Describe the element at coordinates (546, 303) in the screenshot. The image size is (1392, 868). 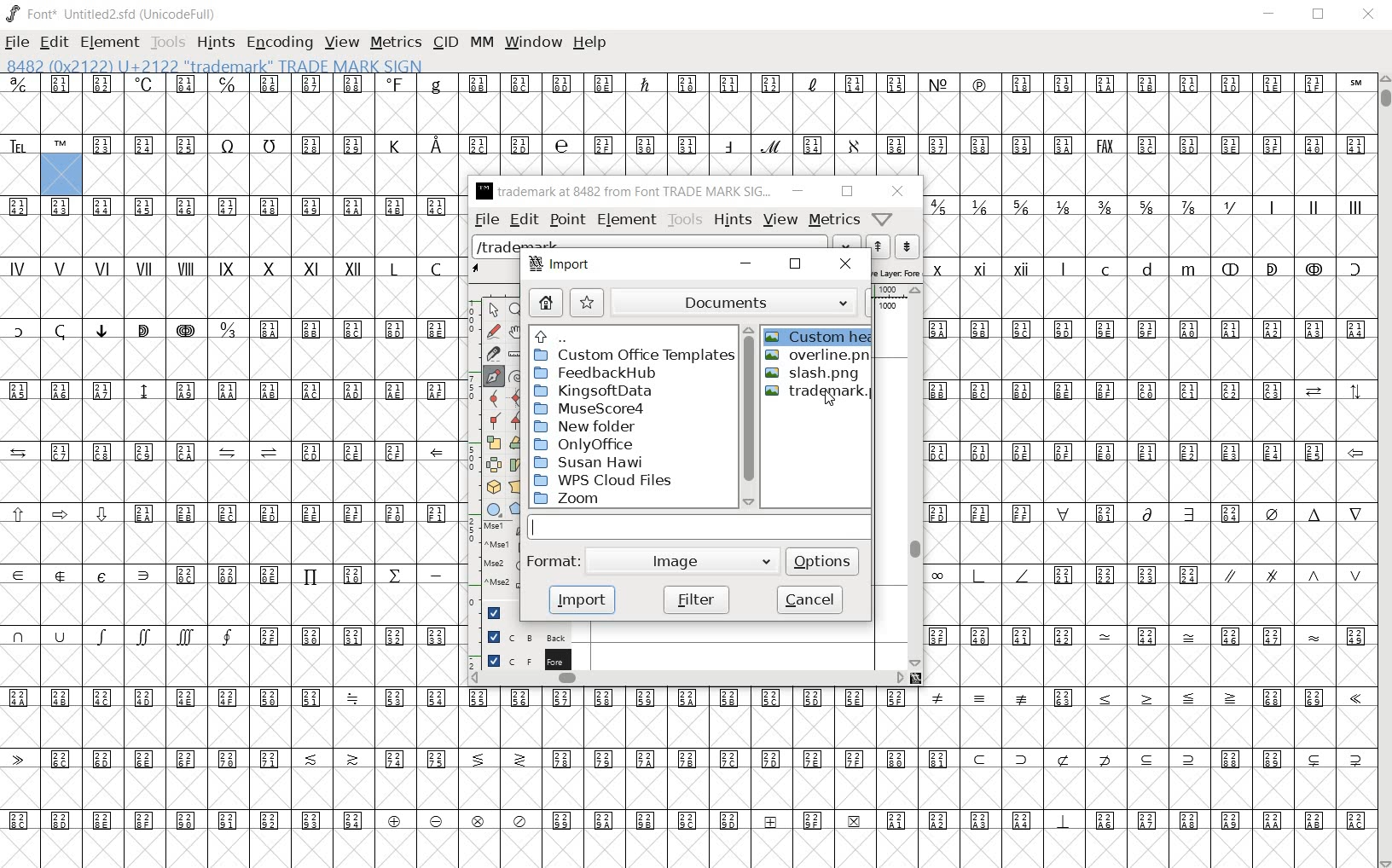
I see `home` at that location.